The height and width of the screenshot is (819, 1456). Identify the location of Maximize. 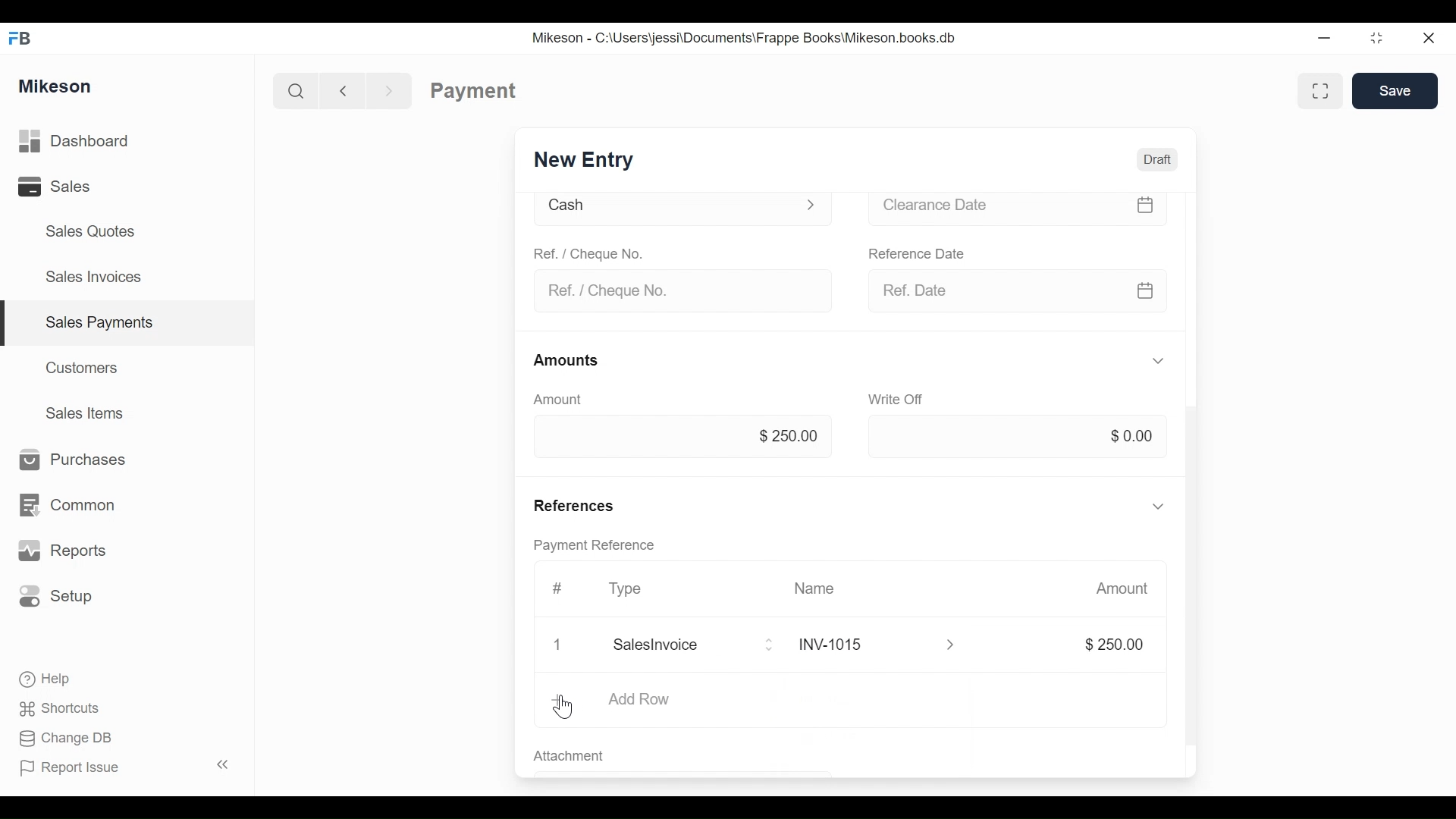
(1374, 40).